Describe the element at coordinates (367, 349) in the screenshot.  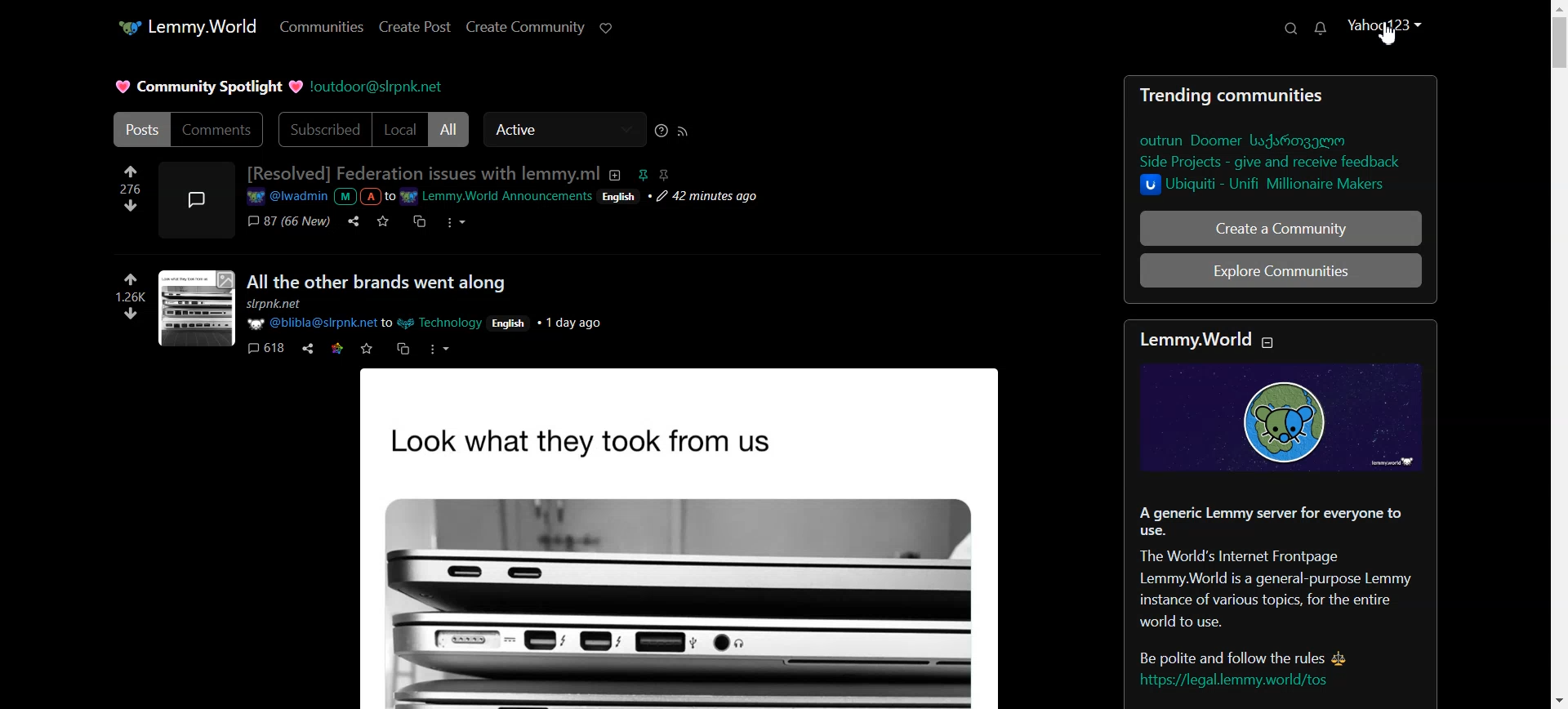
I see `w` at that location.